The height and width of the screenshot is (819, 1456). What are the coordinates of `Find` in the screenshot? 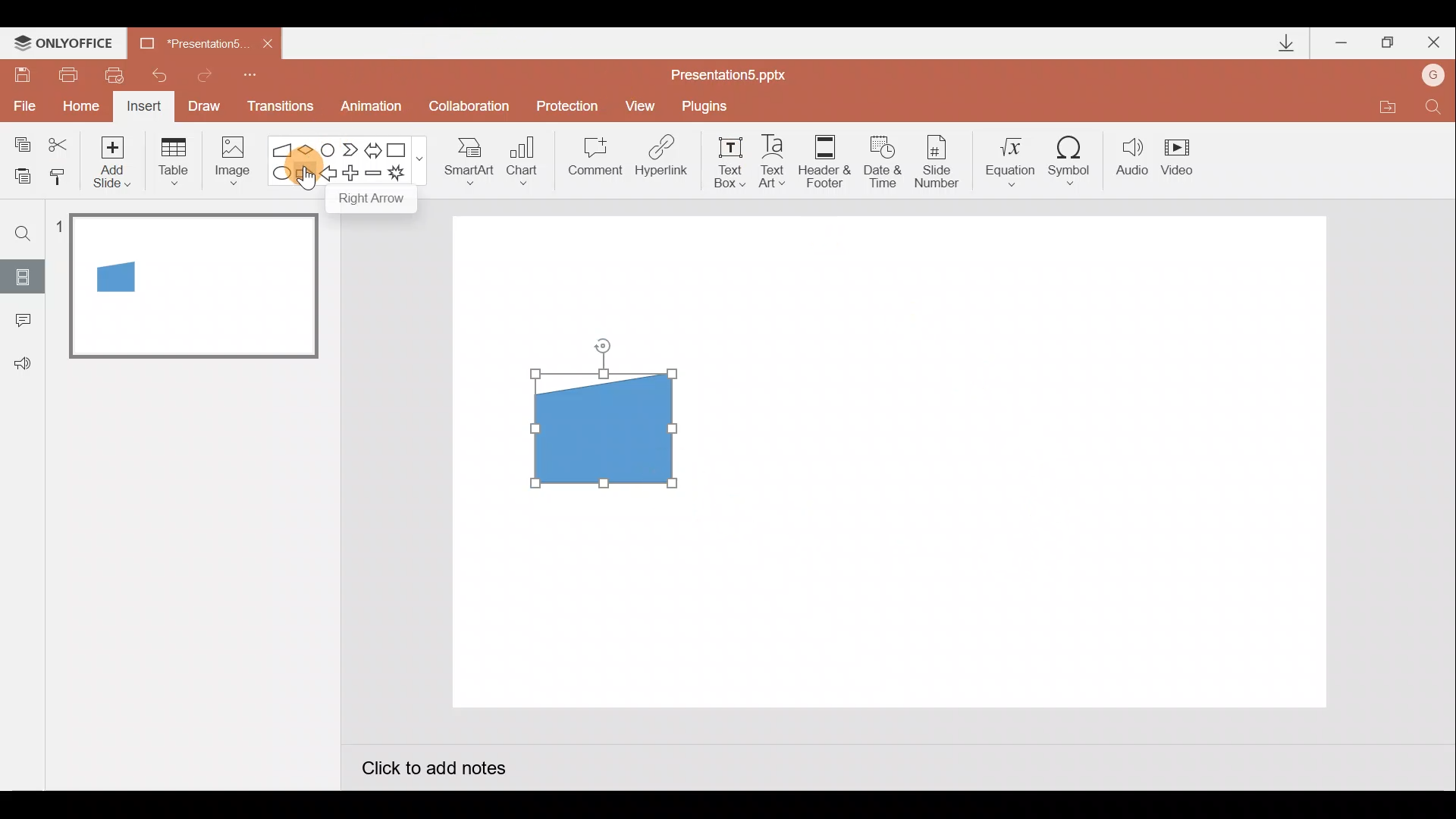 It's located at (24, 233).